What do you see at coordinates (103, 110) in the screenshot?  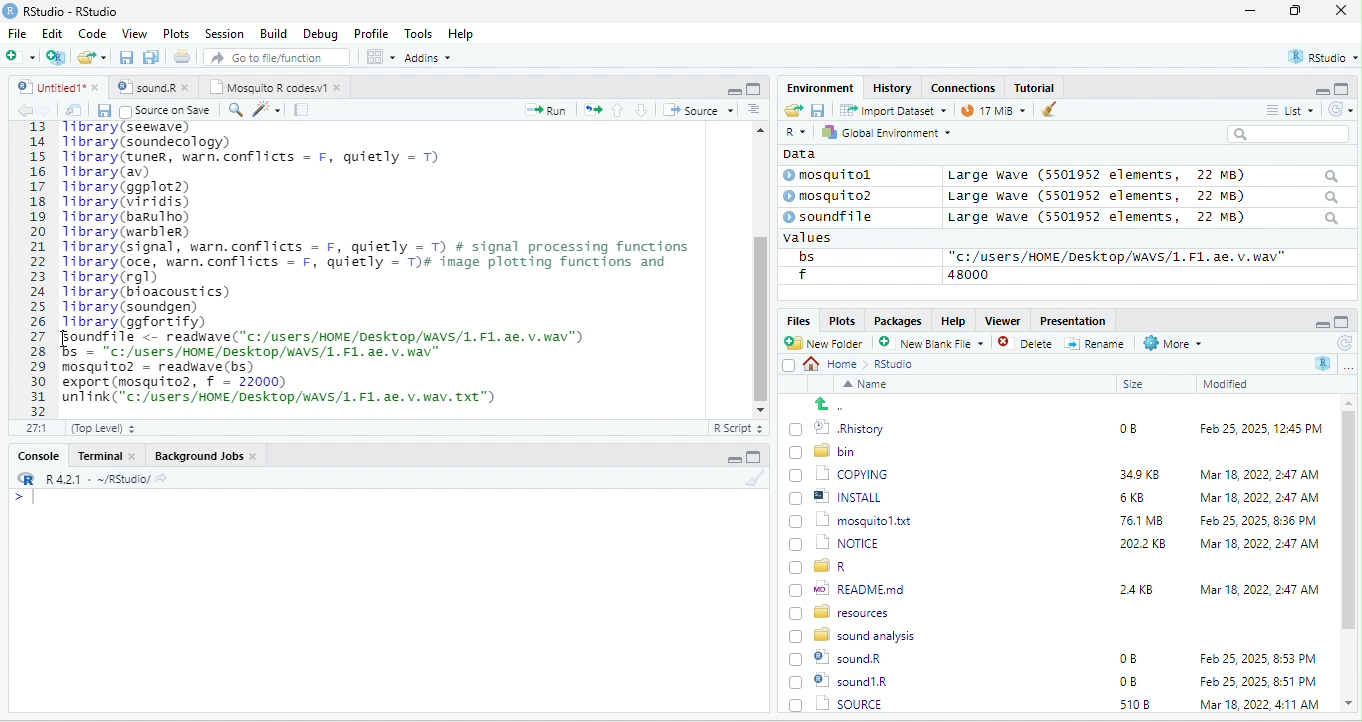 I see `save` at bounding box center [103, 110].